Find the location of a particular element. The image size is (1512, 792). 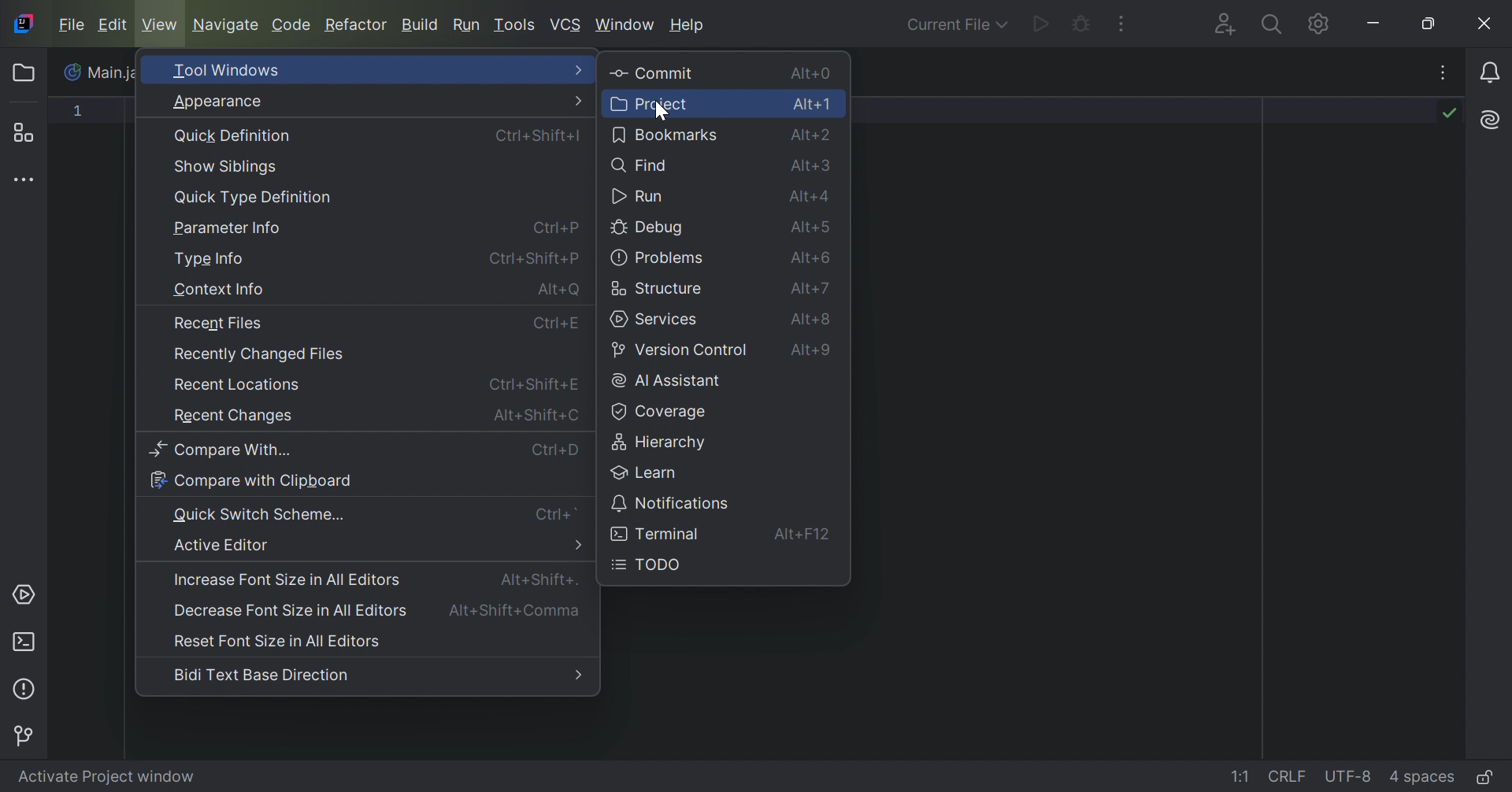

Notifications is located at coordinates (671, 502).